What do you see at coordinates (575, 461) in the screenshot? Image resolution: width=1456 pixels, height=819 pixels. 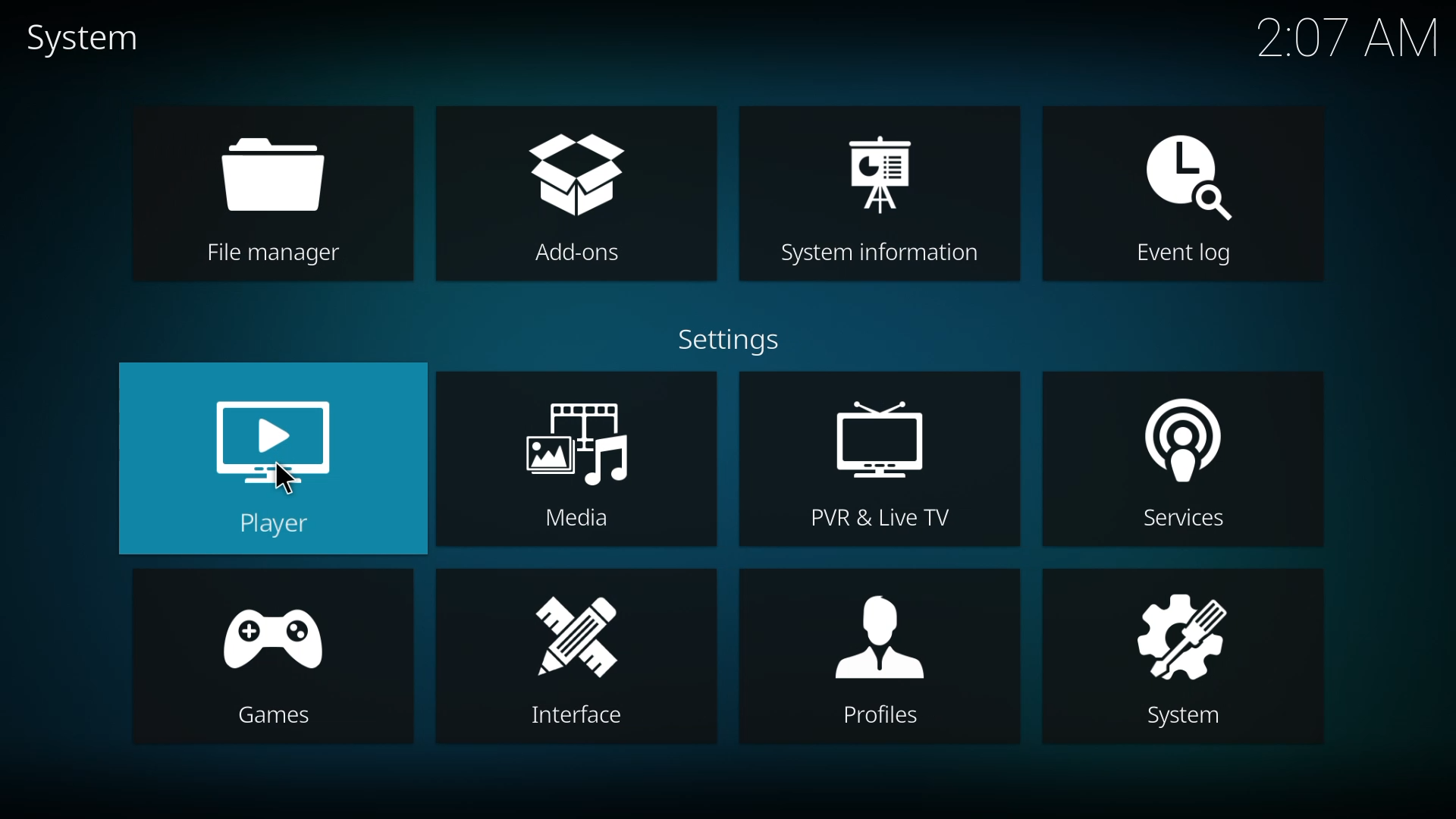 I see `media` at bounding box center [575, 461].